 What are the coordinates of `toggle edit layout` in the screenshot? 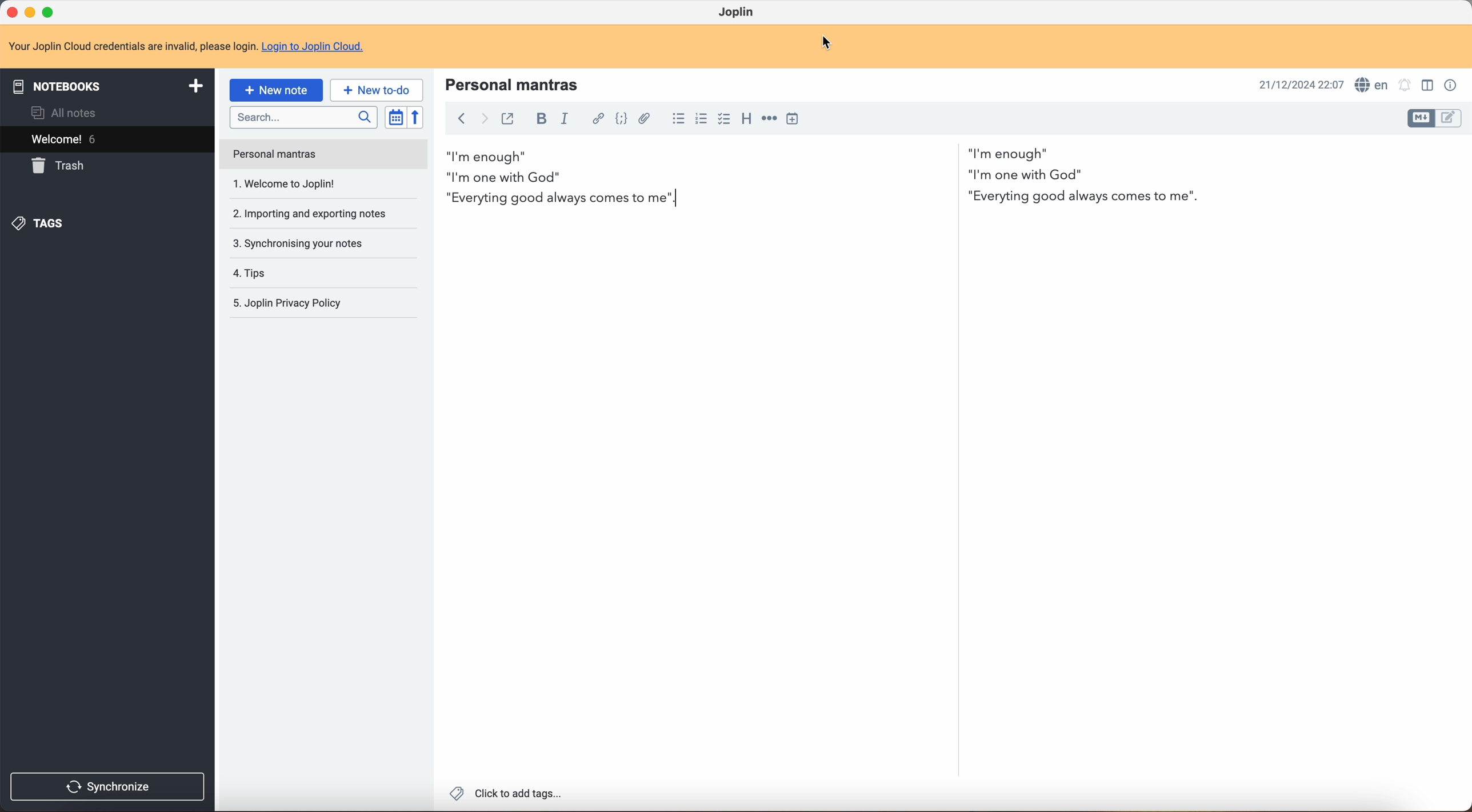 It's located at (1422, 119).